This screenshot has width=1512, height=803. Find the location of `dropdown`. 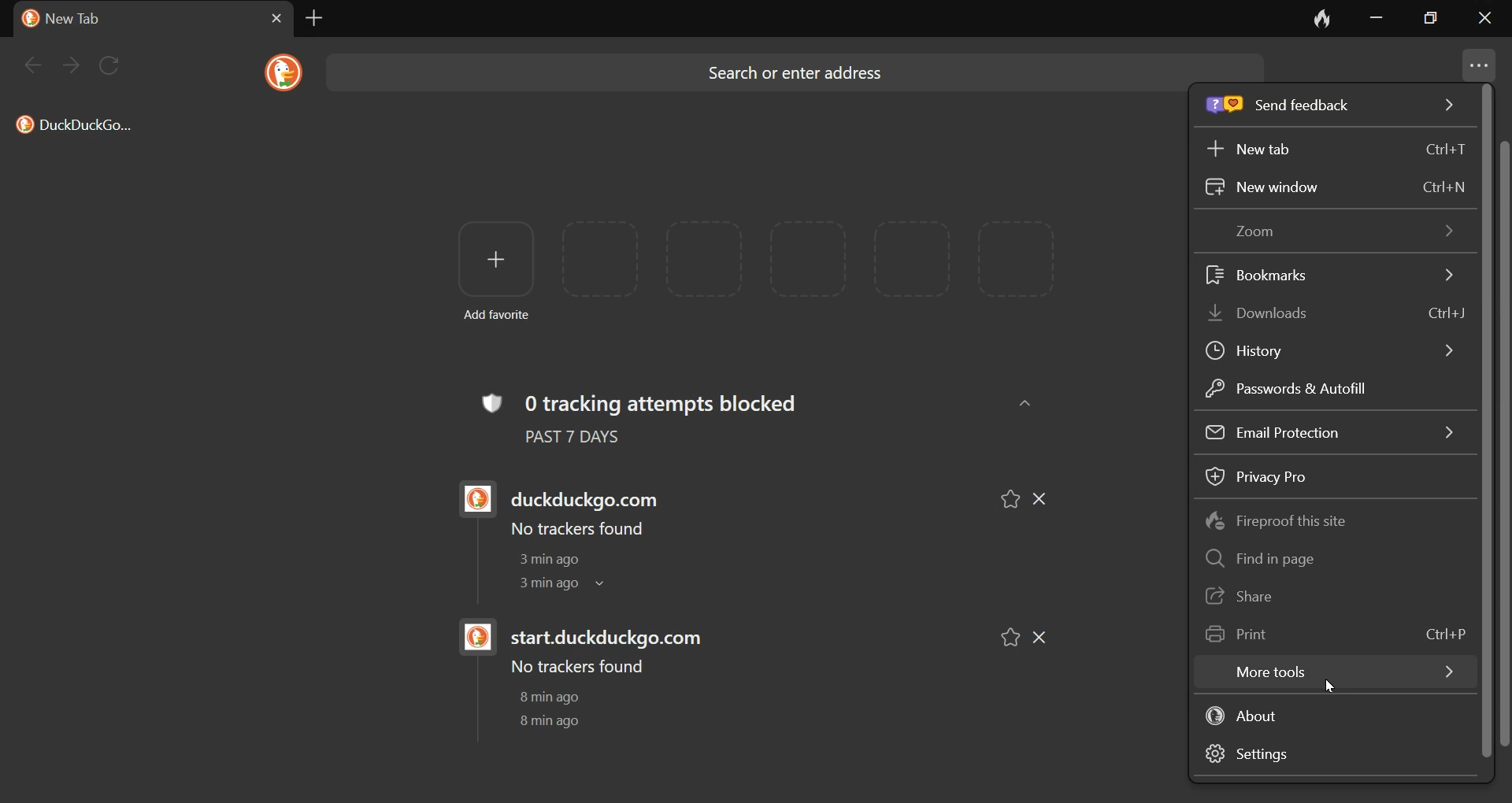

dropdown is located at coordinates (609, 587).